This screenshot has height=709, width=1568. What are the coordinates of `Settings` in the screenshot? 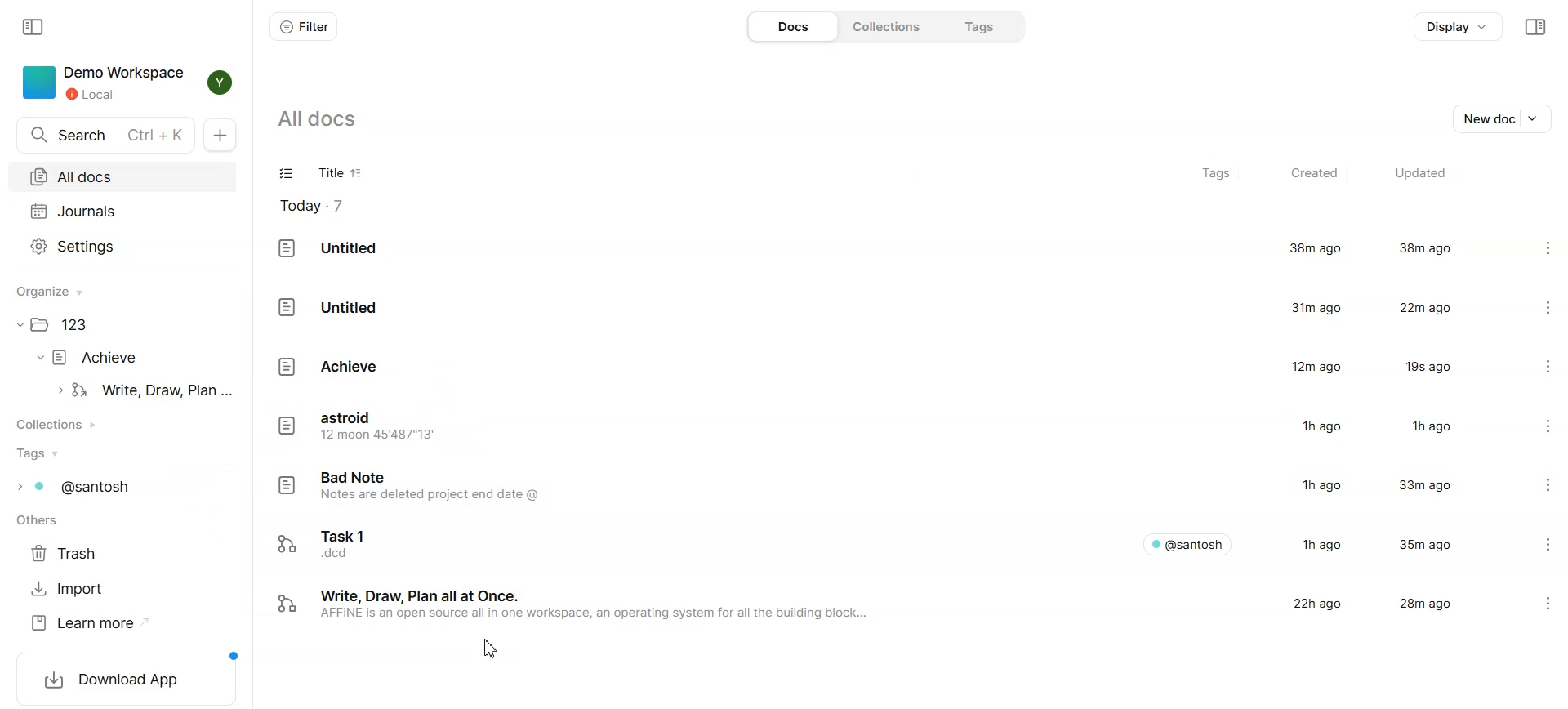 It's located at (1535, 305).